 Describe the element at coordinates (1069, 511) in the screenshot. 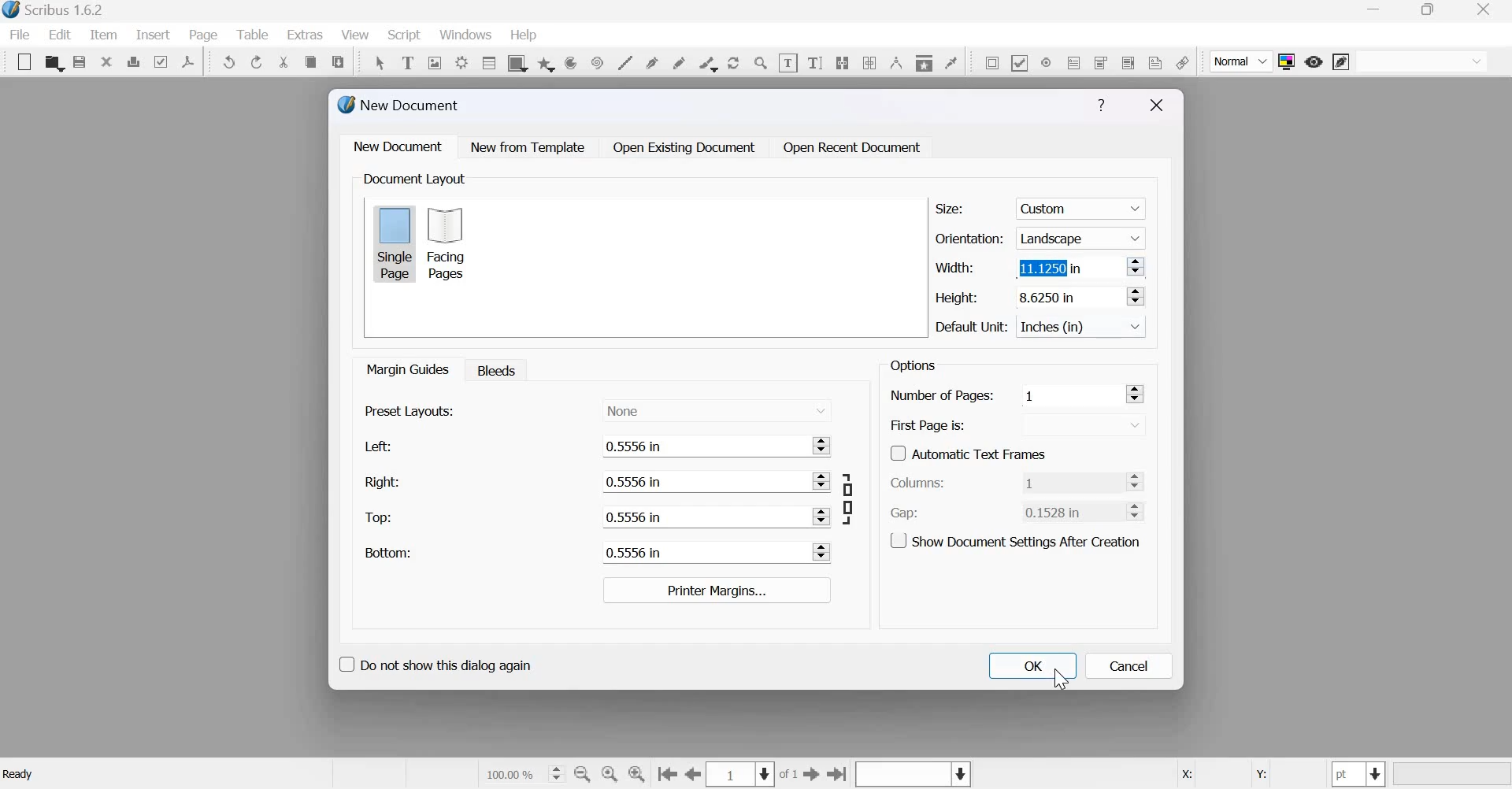

I see `0.1528 in` at that location.